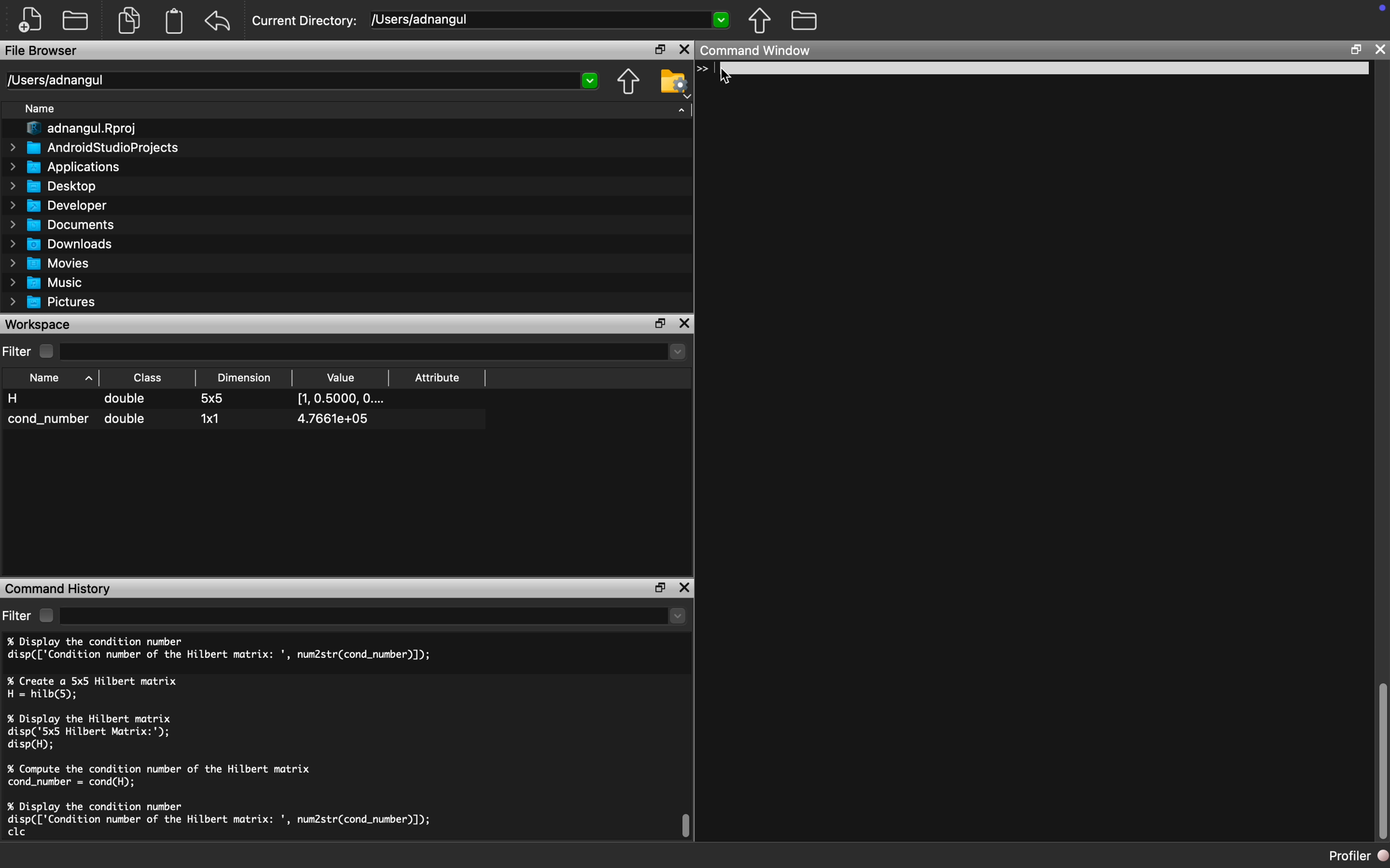  Describe the element at coordinates (684, 323) in the screenshot. I see `Close` at that location.